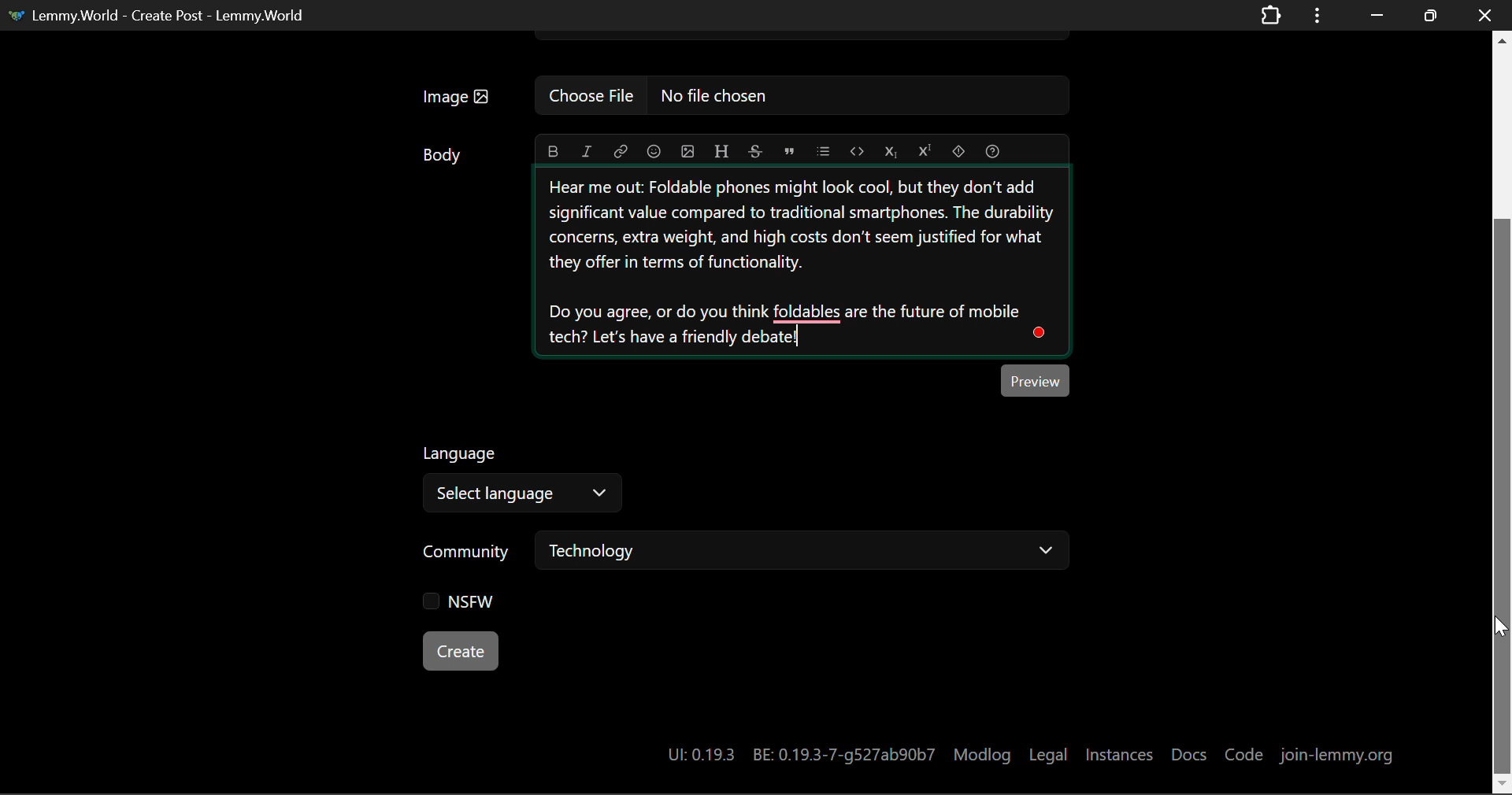 The width and height of the screenshot is (1512, 795). Describe the element at coordinates (1503, 623) in the screenshot. I see `MOUSE_UP Cursor Position` at that location.